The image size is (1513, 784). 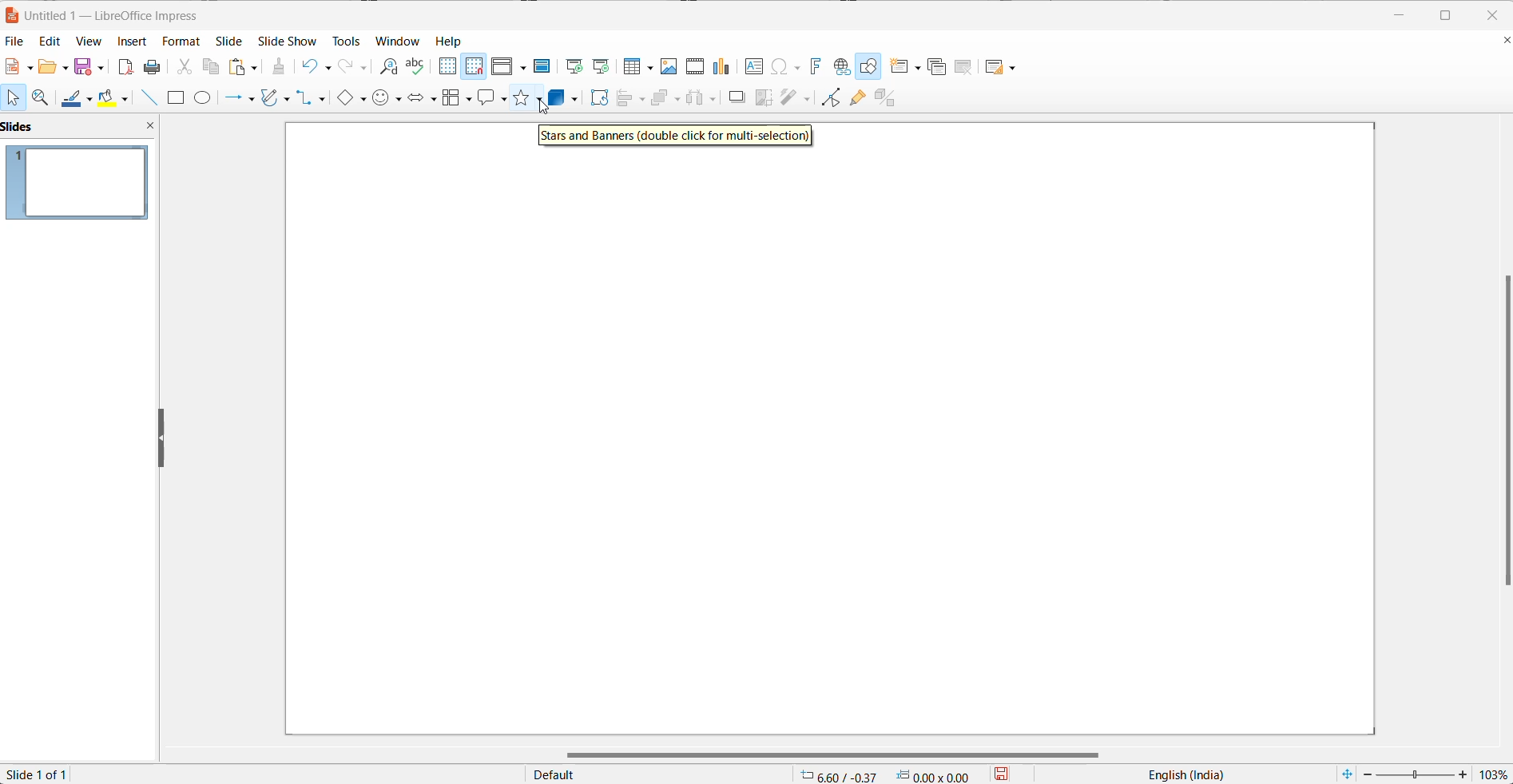 I want to click on scrollbar, so click(x=1498, y=434).